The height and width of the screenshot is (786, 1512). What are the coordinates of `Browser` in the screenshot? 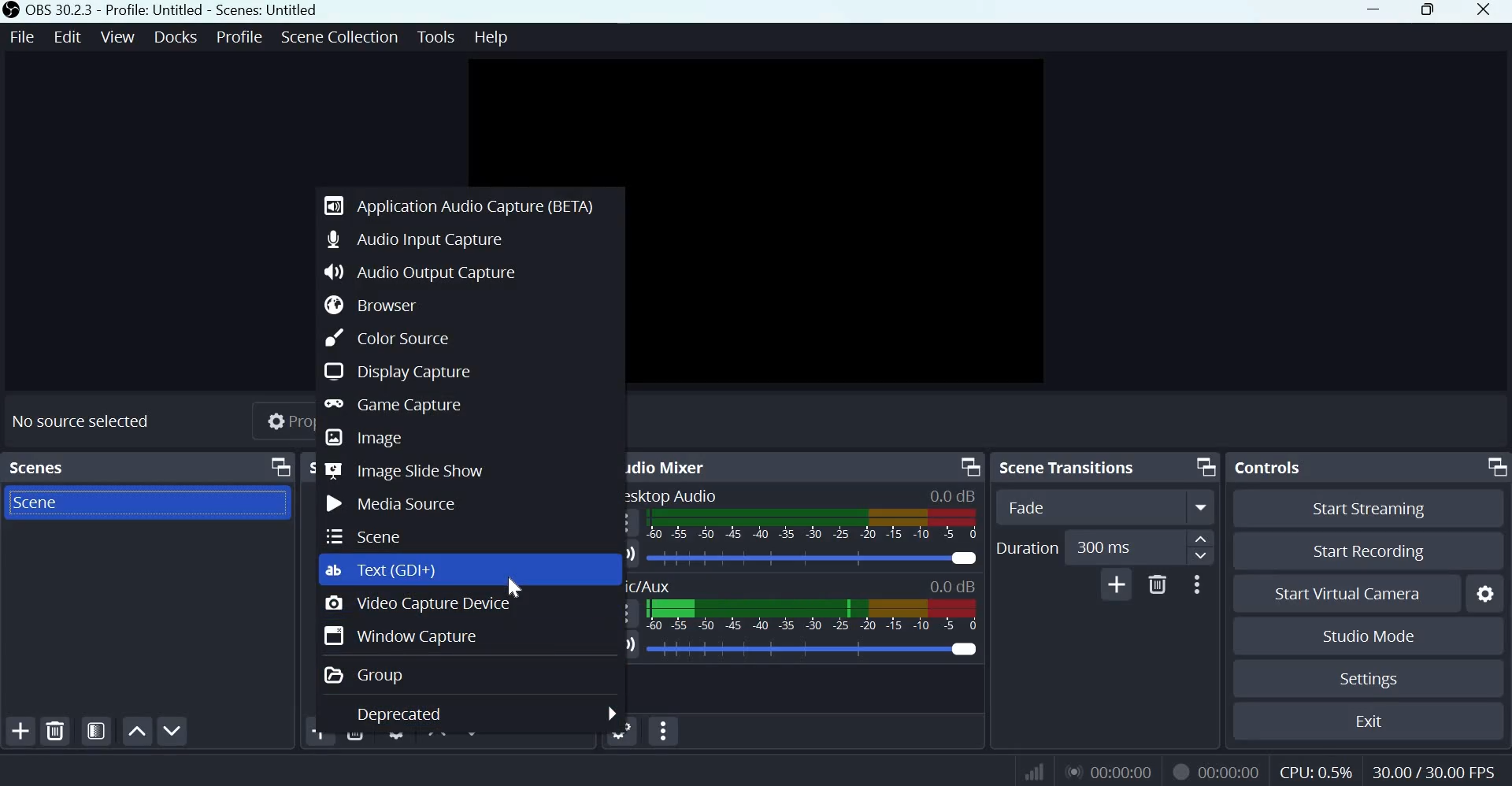 It's located at (380, 305).